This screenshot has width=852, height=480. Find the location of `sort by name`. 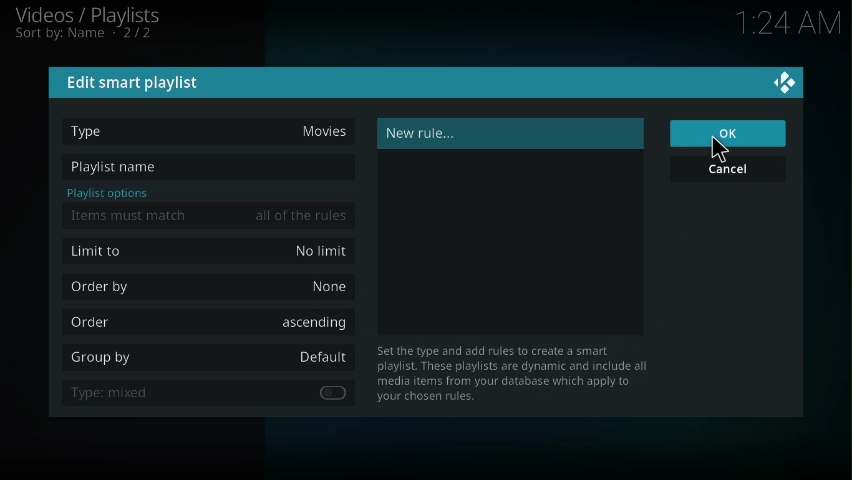

sort by name is located at coordinates (87, 36).